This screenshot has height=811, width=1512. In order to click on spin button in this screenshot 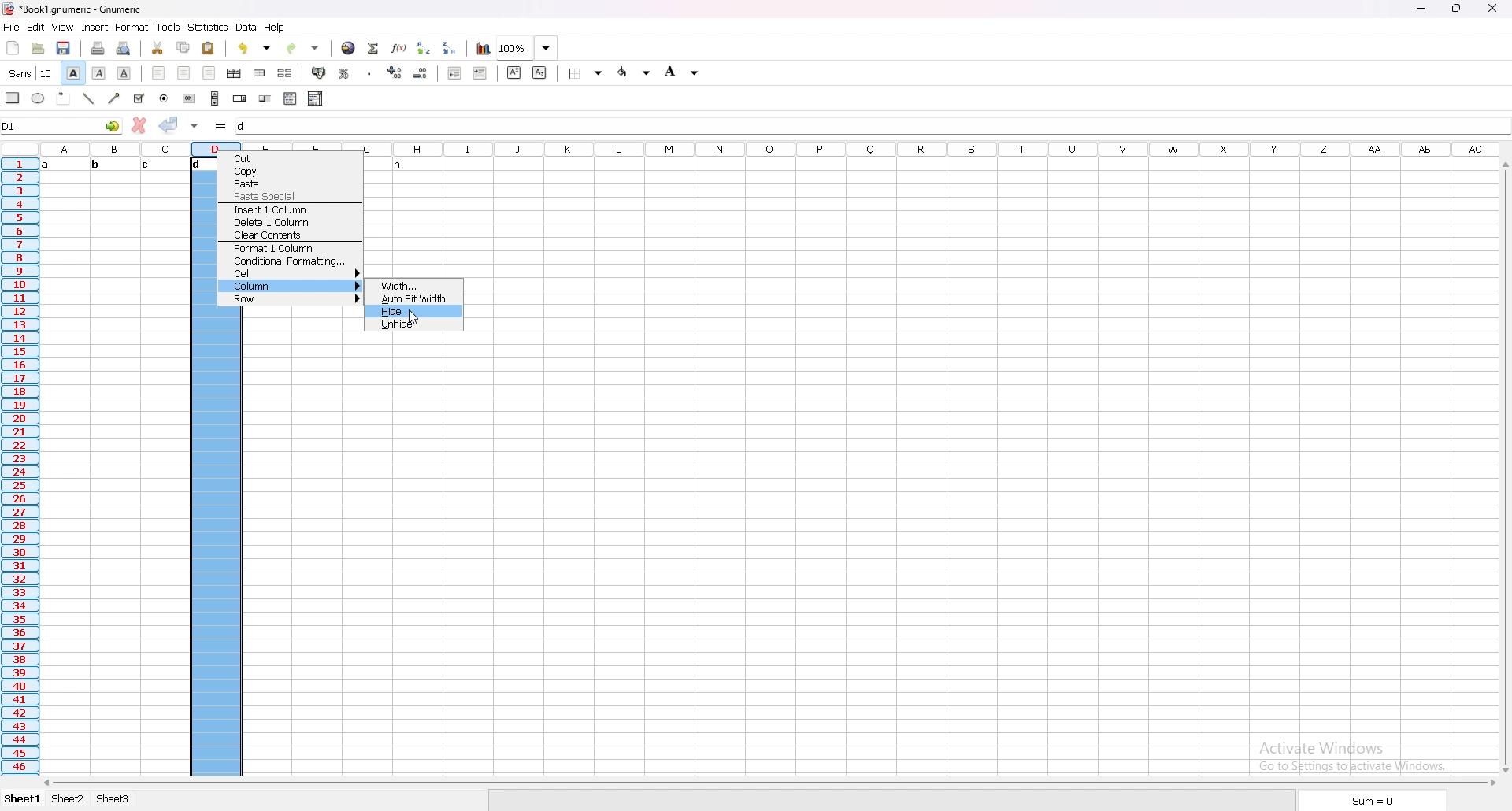, I will do `click(241, 98)`.